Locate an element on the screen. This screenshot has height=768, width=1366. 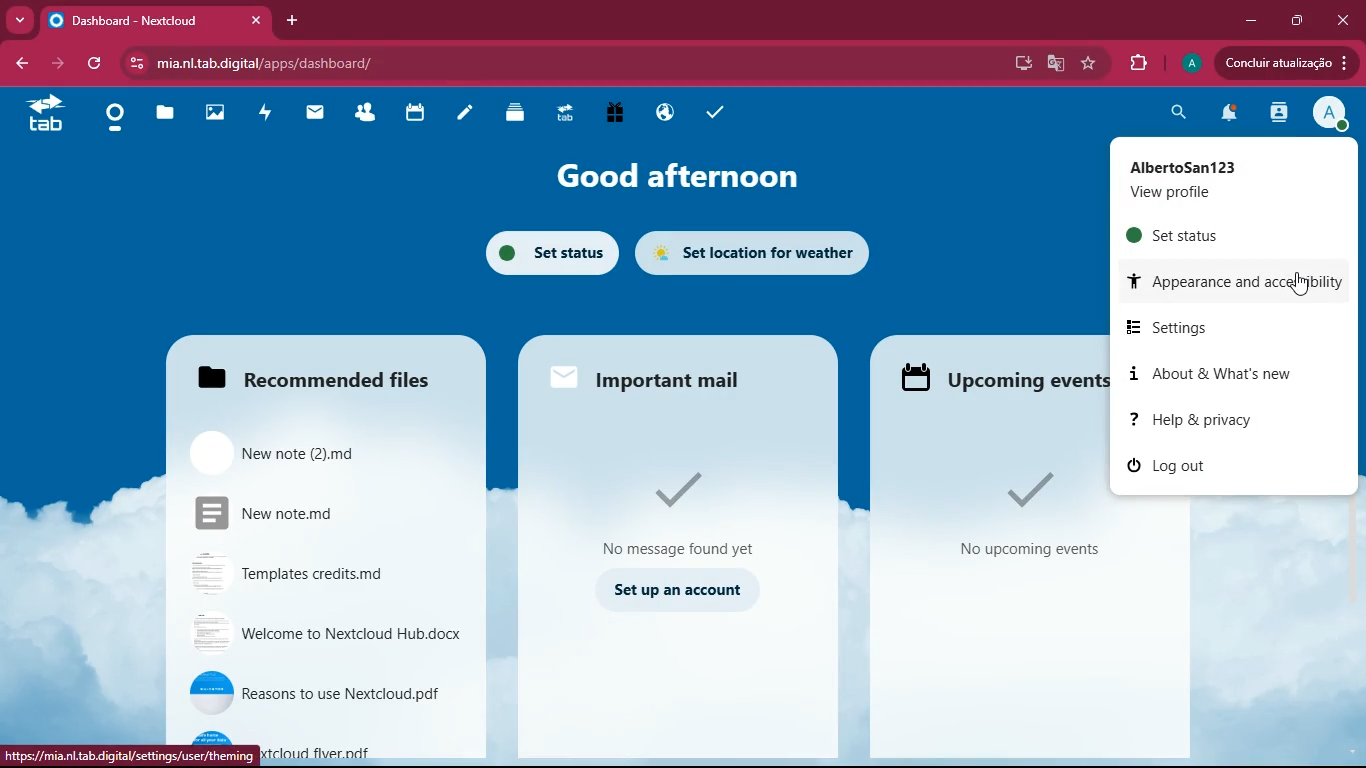
Concluir atualizacao is located at coordinates (1286, 62).